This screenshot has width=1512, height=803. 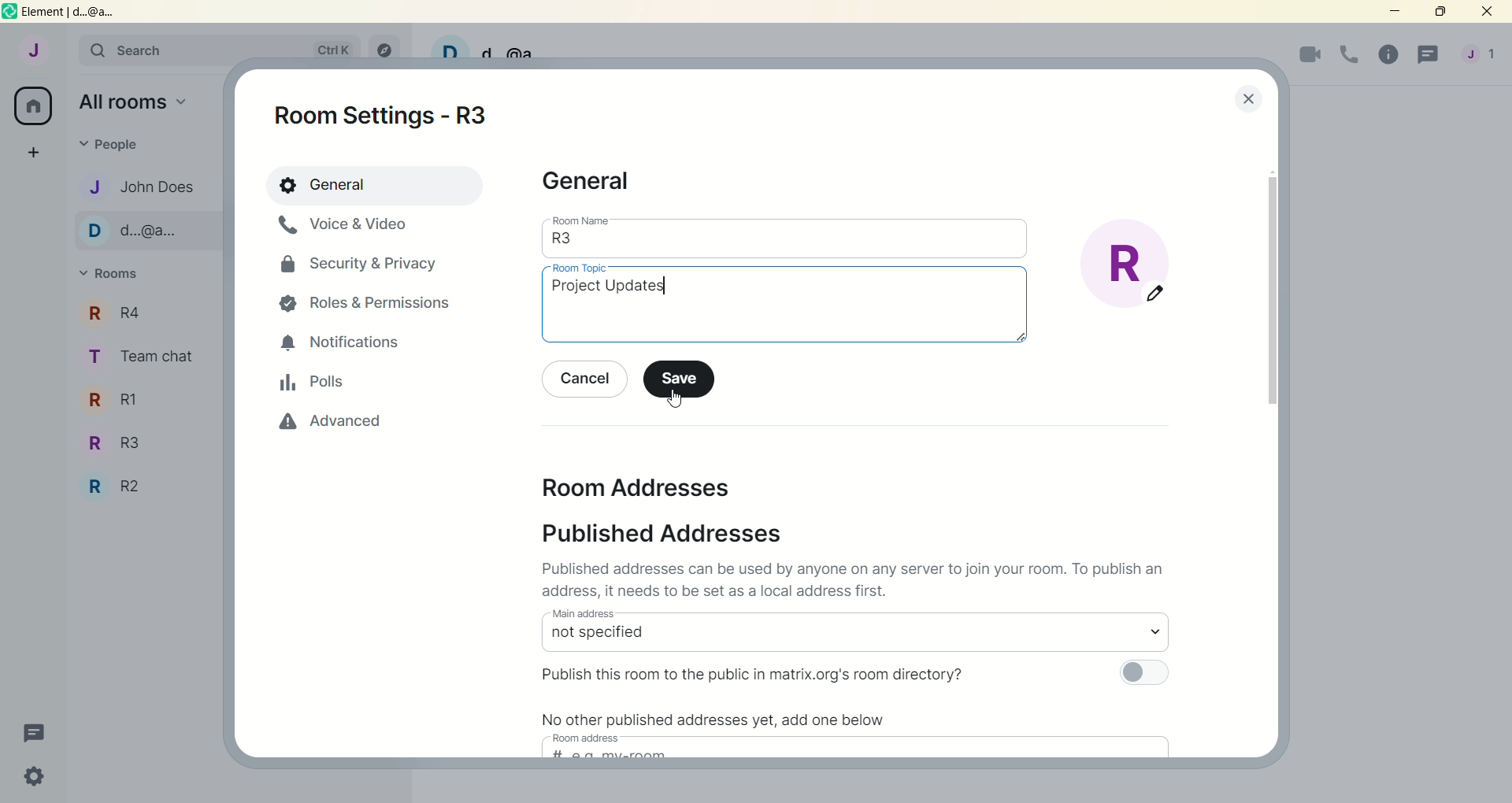 What do you see at coordinates (141, 231) in the screenshot?
I see `d...@...` at bounding box center [141, 231].